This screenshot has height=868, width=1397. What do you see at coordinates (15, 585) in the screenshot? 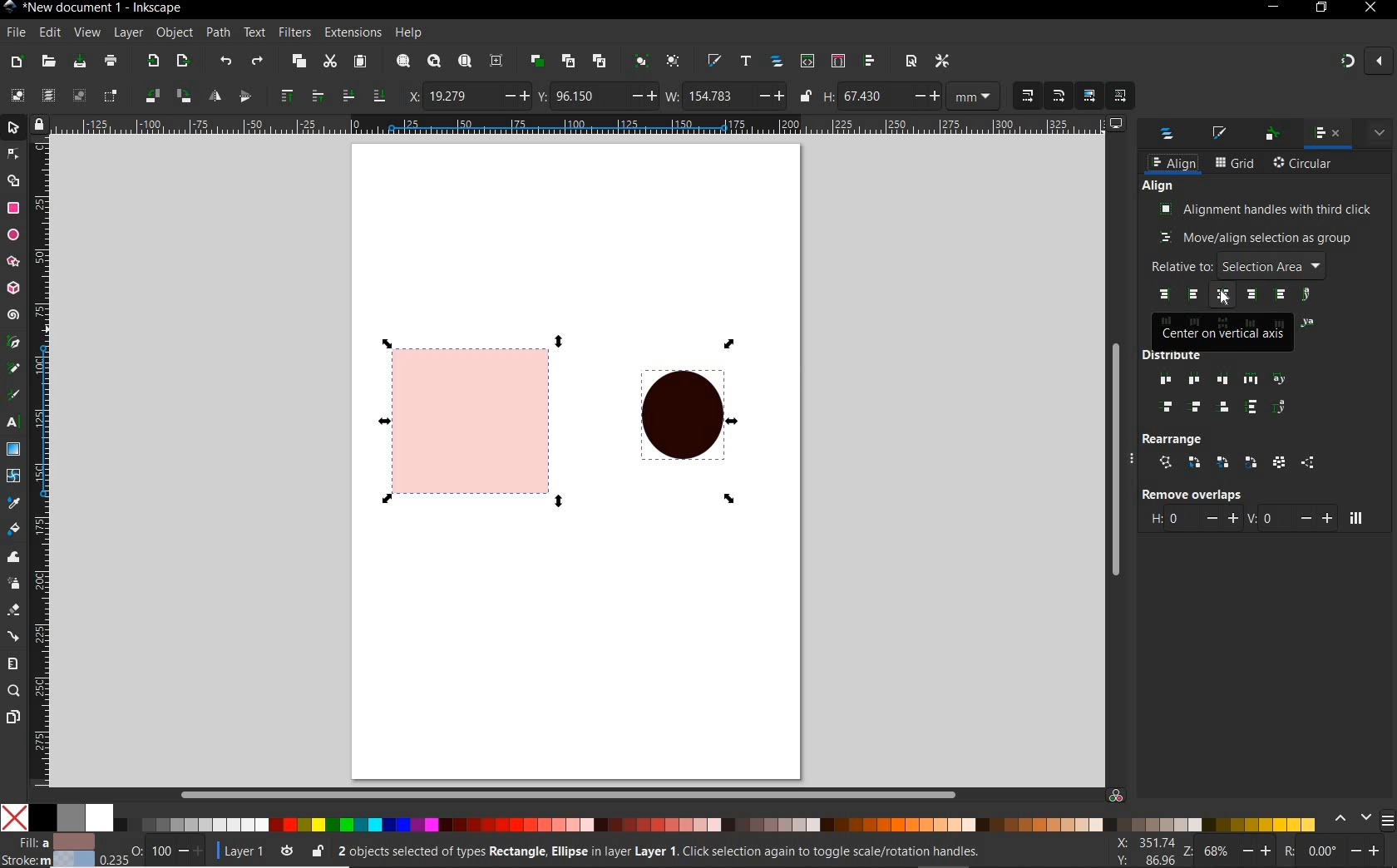
I see `spray tool` at bounding box center [15, 585].